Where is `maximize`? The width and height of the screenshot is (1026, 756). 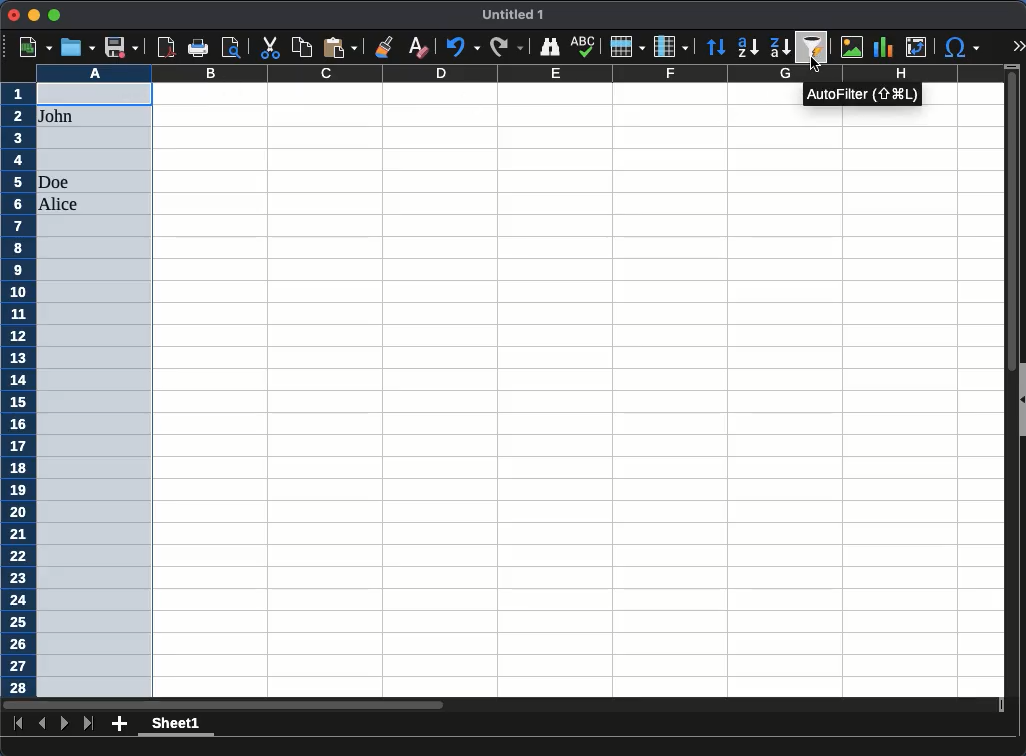 maximize is located at coordinates (53, 15).